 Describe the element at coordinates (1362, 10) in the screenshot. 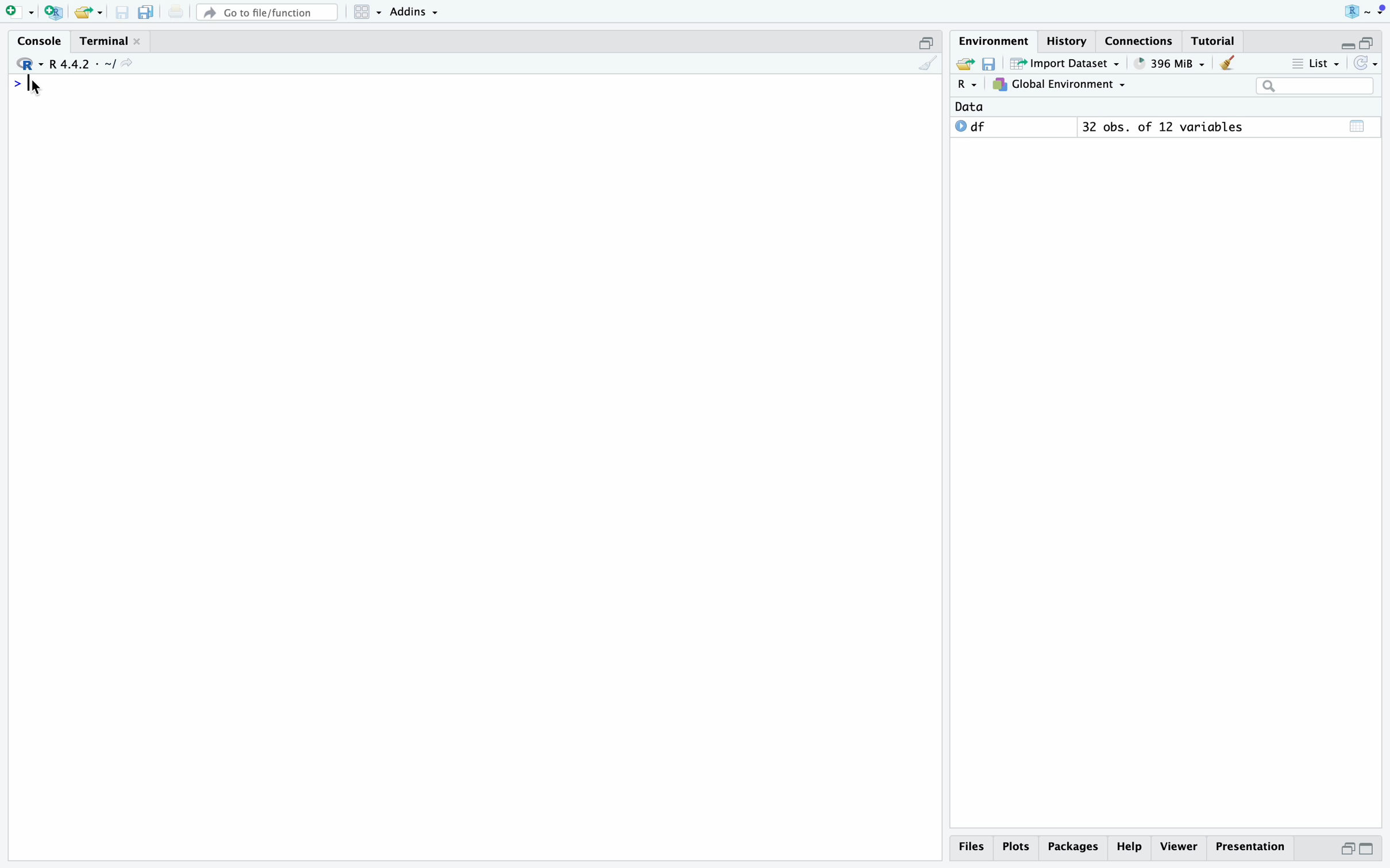

I see `logo` at that location.